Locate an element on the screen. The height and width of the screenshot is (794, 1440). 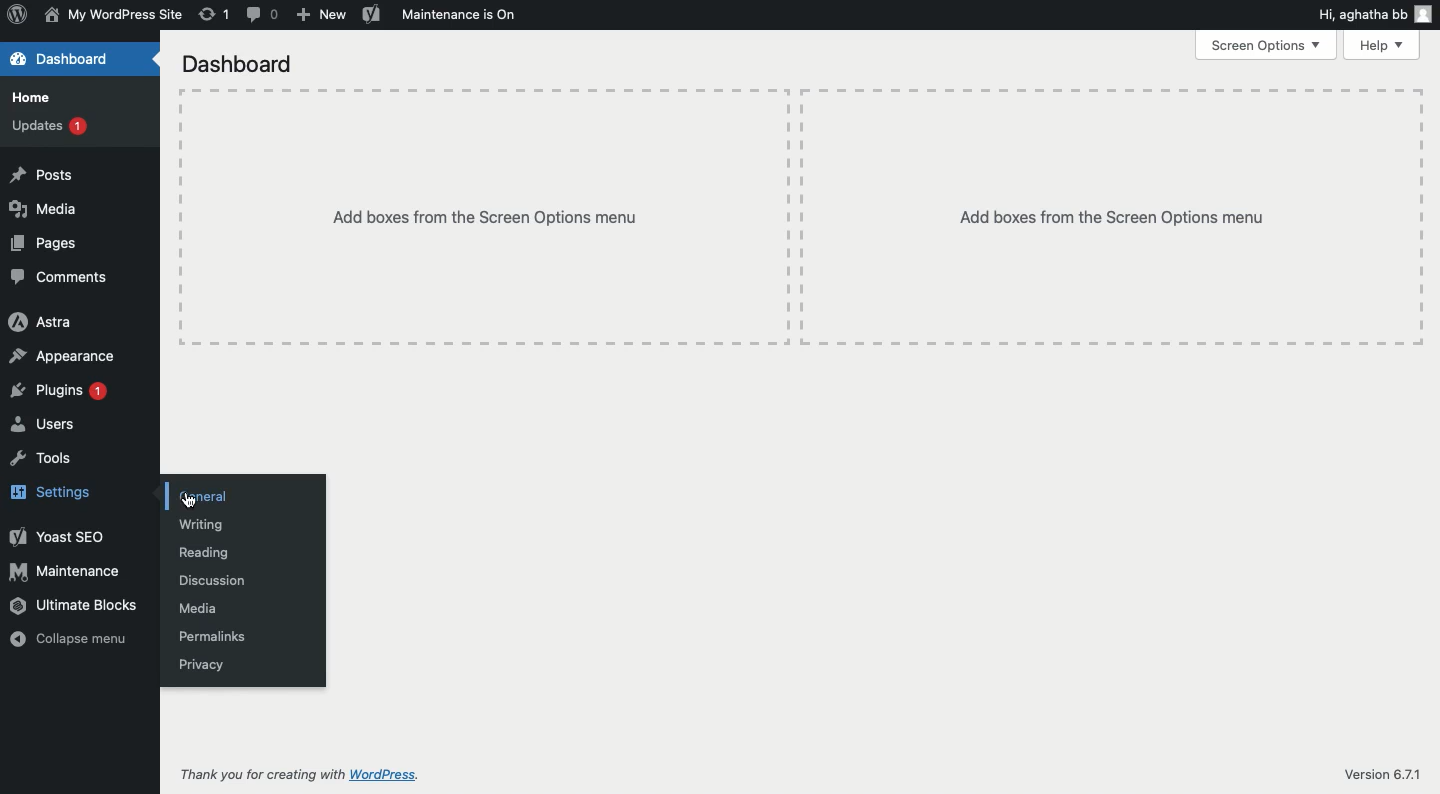
Updates is located at coordinates (51, 125).